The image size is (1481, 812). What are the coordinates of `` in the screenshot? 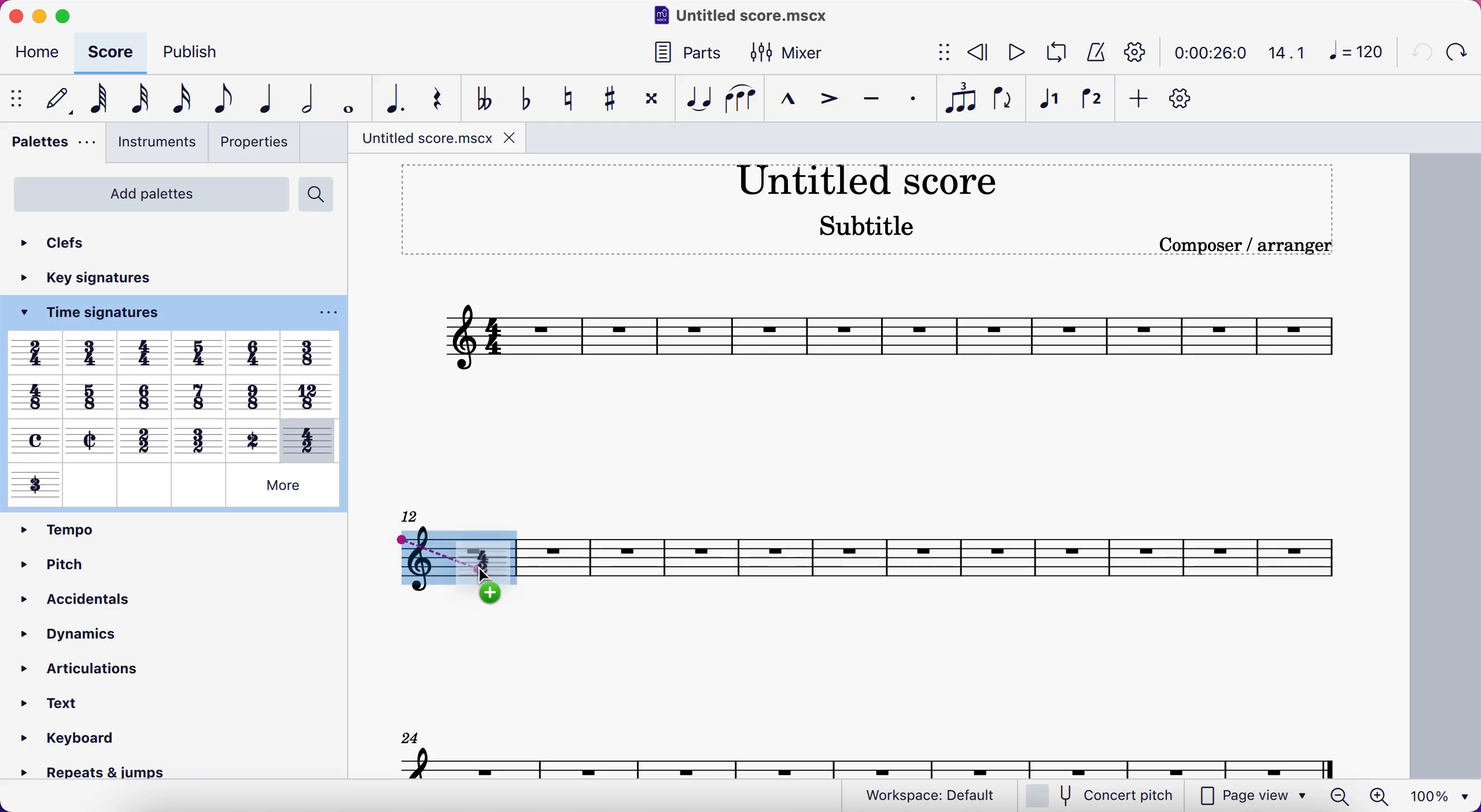 It's located at (142, 485).